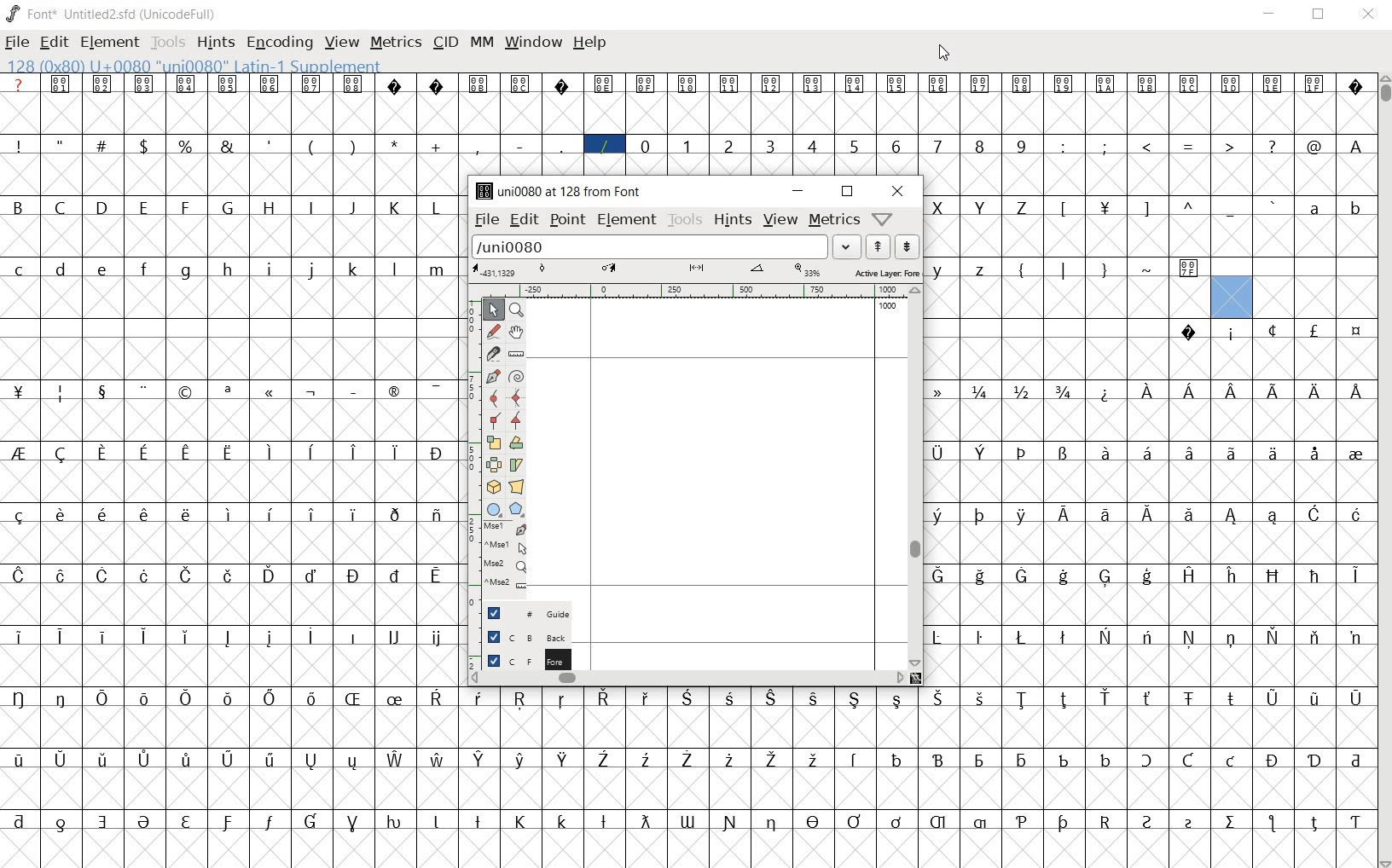 Image resolution: width=1392 pixels, height=868 pixels. What do you see at coordinates (229, 699) in the screenshot?
I see `glyph` at bounding box center [229, 699].